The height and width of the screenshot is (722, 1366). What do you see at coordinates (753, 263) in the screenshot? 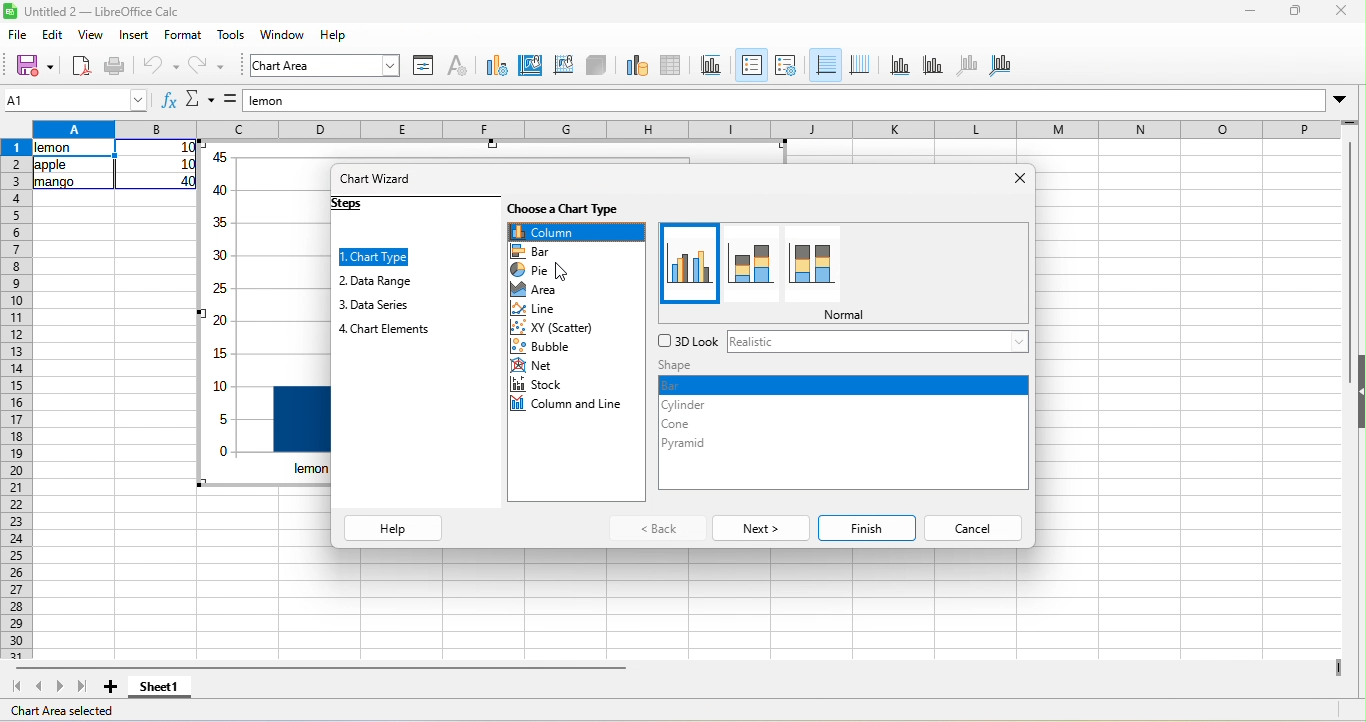
I see `stacked` at bounding box center [753, 263].